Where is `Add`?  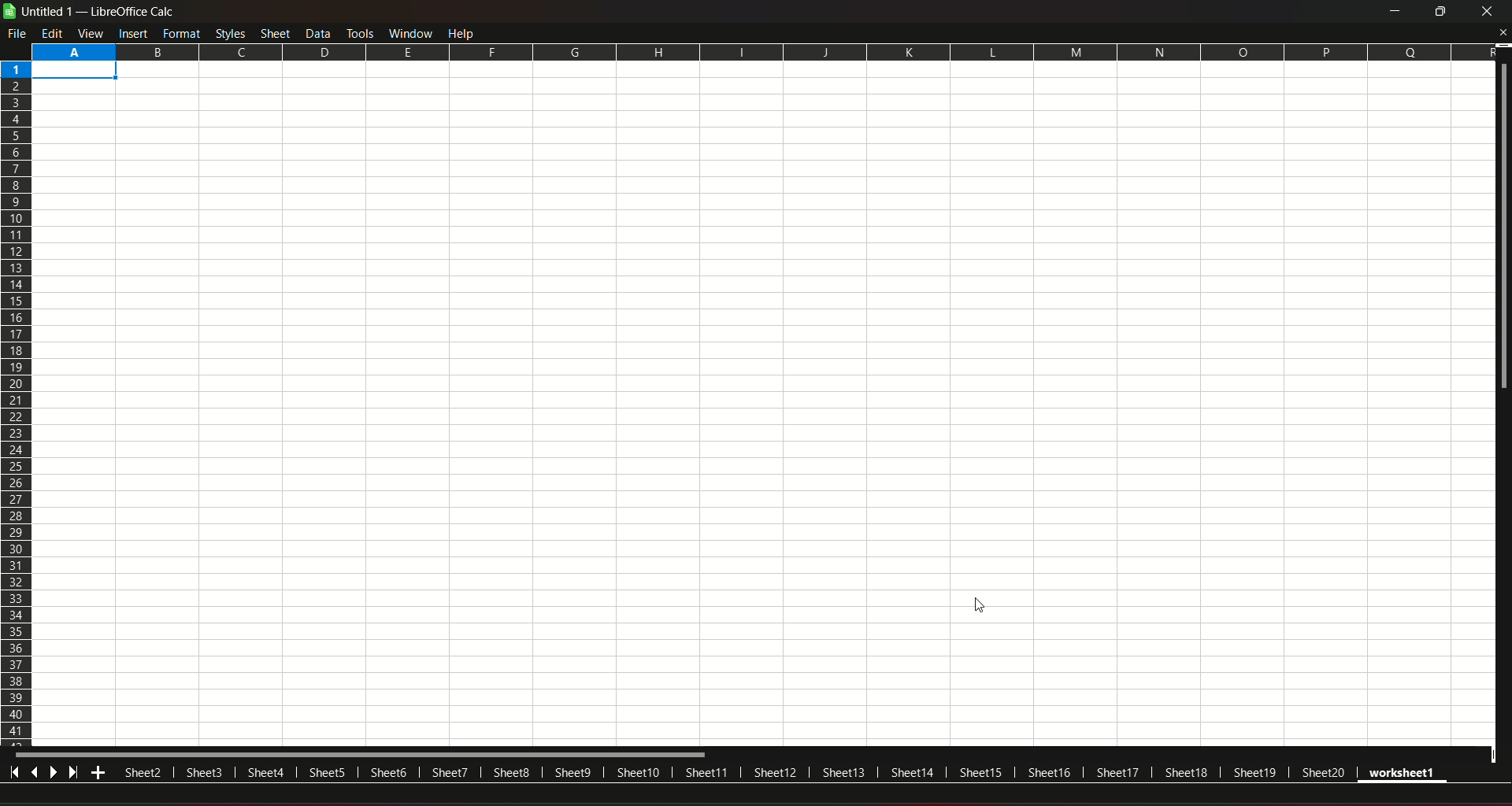 Add is located at coordinates (99, 775).